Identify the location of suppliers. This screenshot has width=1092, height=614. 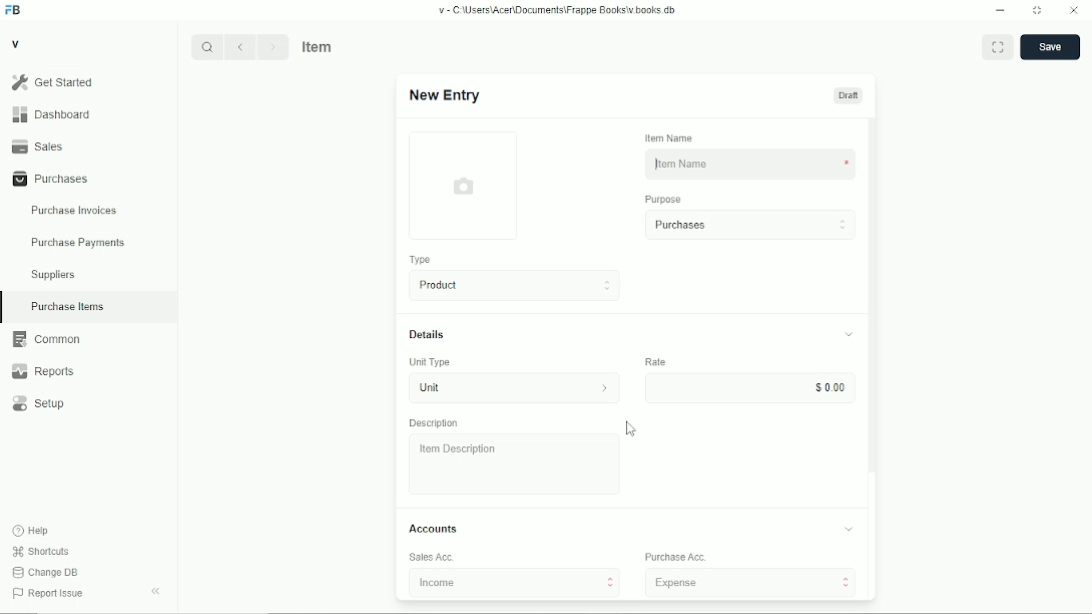
(53, 275).